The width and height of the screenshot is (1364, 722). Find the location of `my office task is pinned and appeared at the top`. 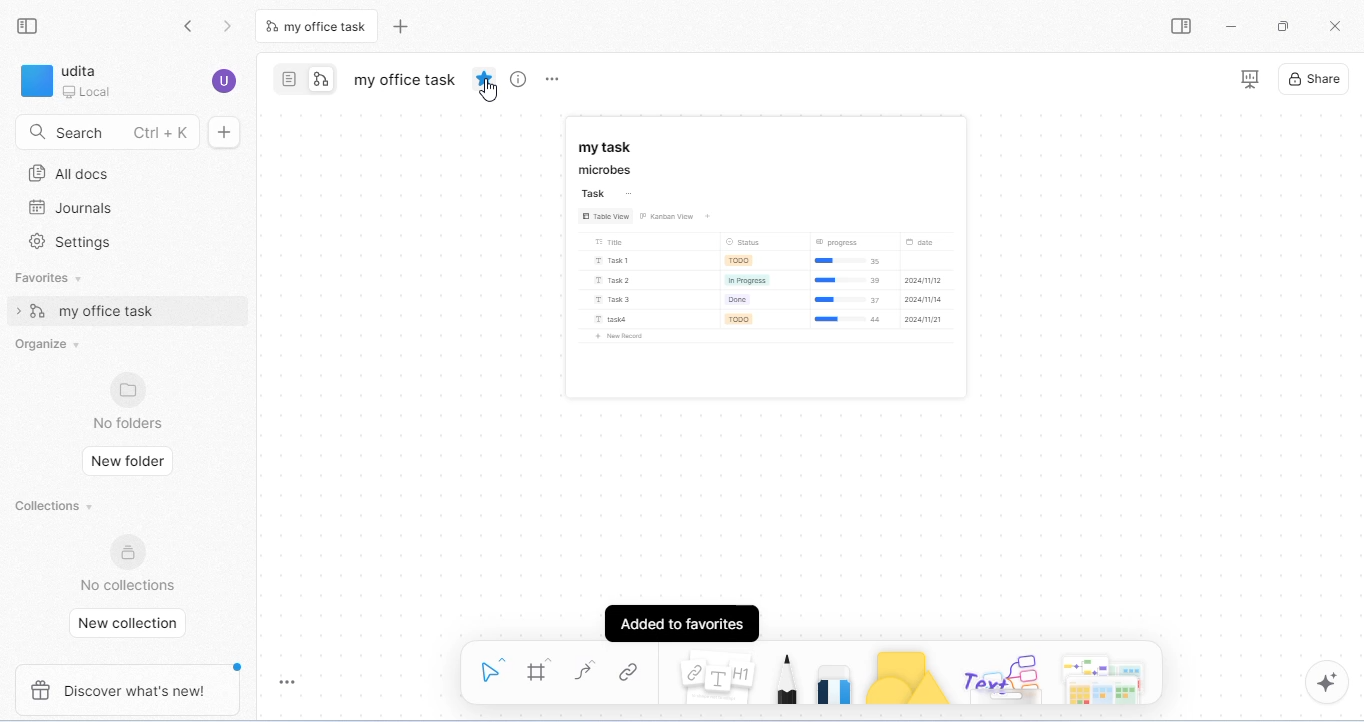

my office task is pinned and appeared at the top is located at coordinates (127, 311).